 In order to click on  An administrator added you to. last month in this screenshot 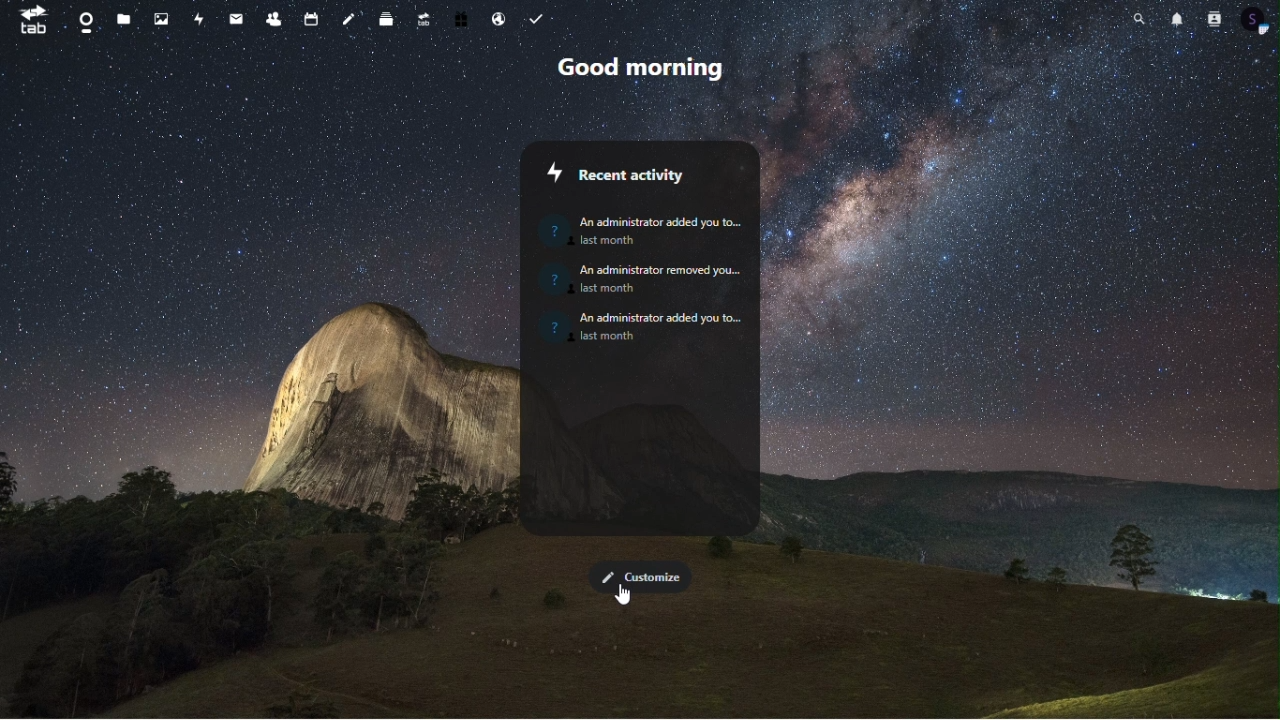, I will do `click(640, 226)`.